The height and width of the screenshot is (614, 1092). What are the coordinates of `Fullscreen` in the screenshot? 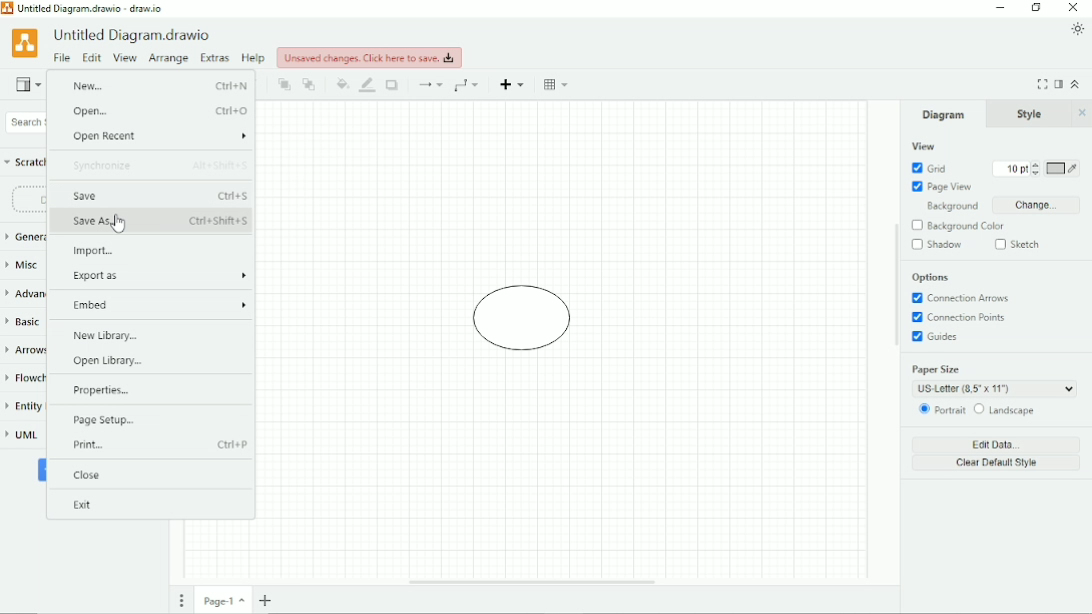 It's located at (1042, 84).